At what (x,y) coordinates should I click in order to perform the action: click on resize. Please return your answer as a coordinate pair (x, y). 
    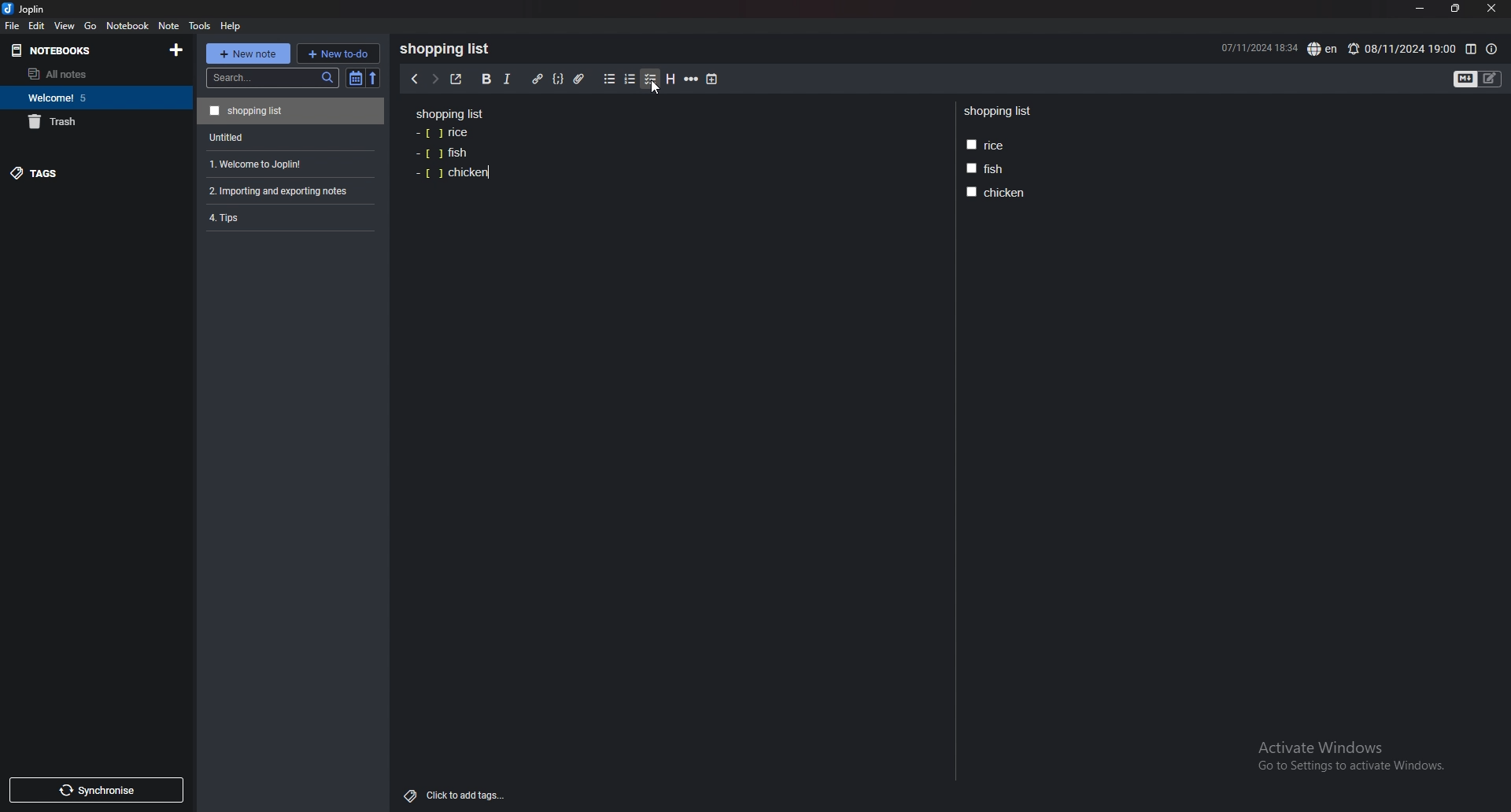
    Looking at the image, I should click on (1454, 9).